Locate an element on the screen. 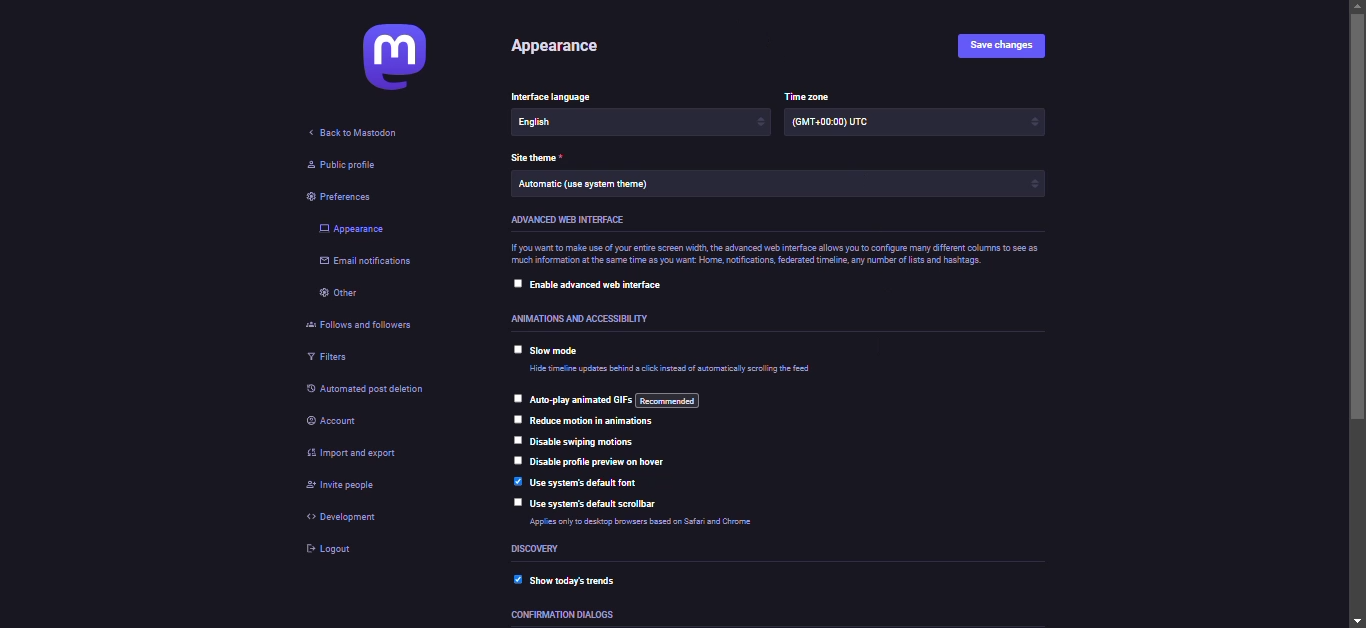  filters is located at coordinates (329, 358).